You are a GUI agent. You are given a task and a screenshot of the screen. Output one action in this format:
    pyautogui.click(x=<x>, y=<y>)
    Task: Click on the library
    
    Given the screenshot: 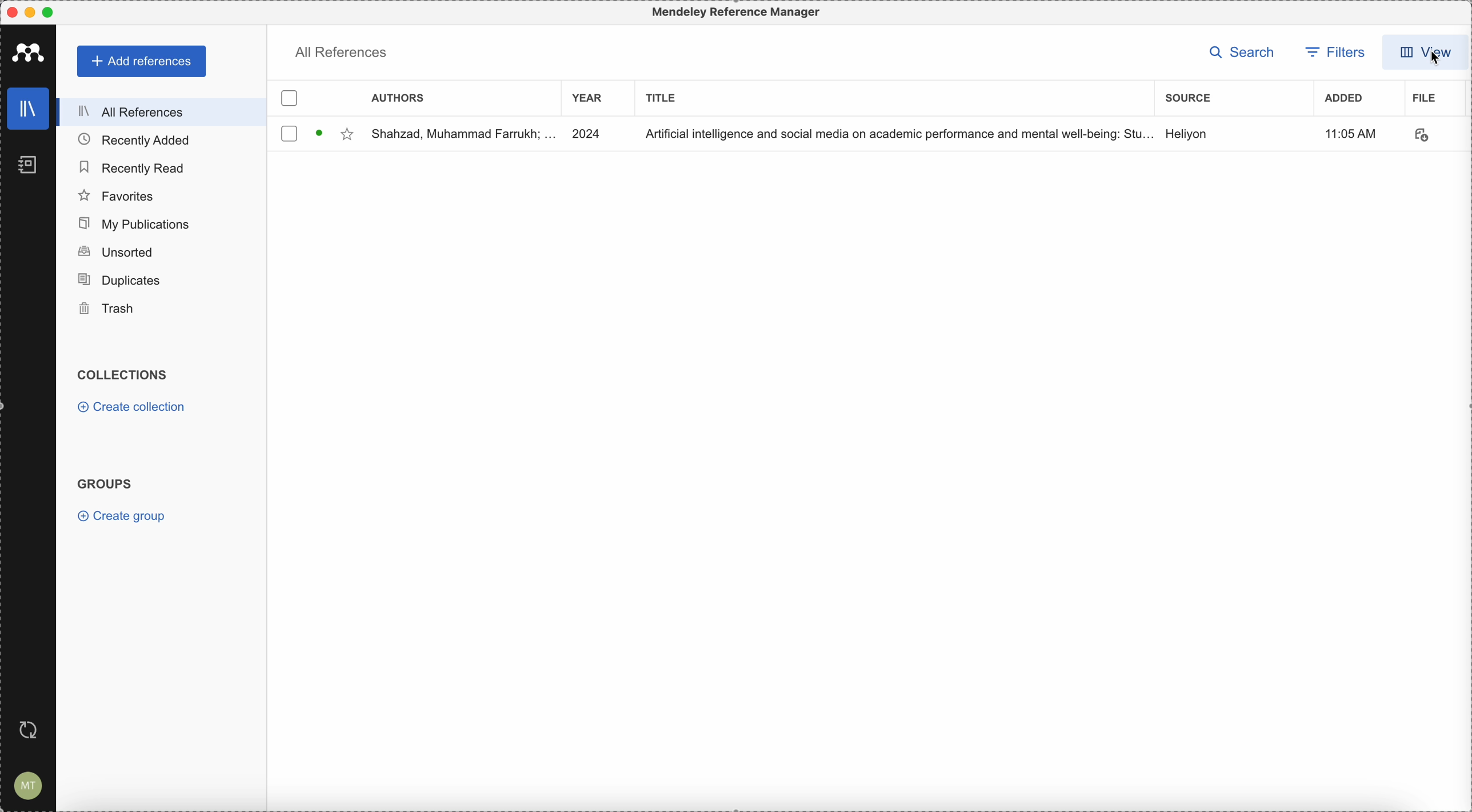 What is the action you would take?
    pyautogui.click(x=29, y=109)
    